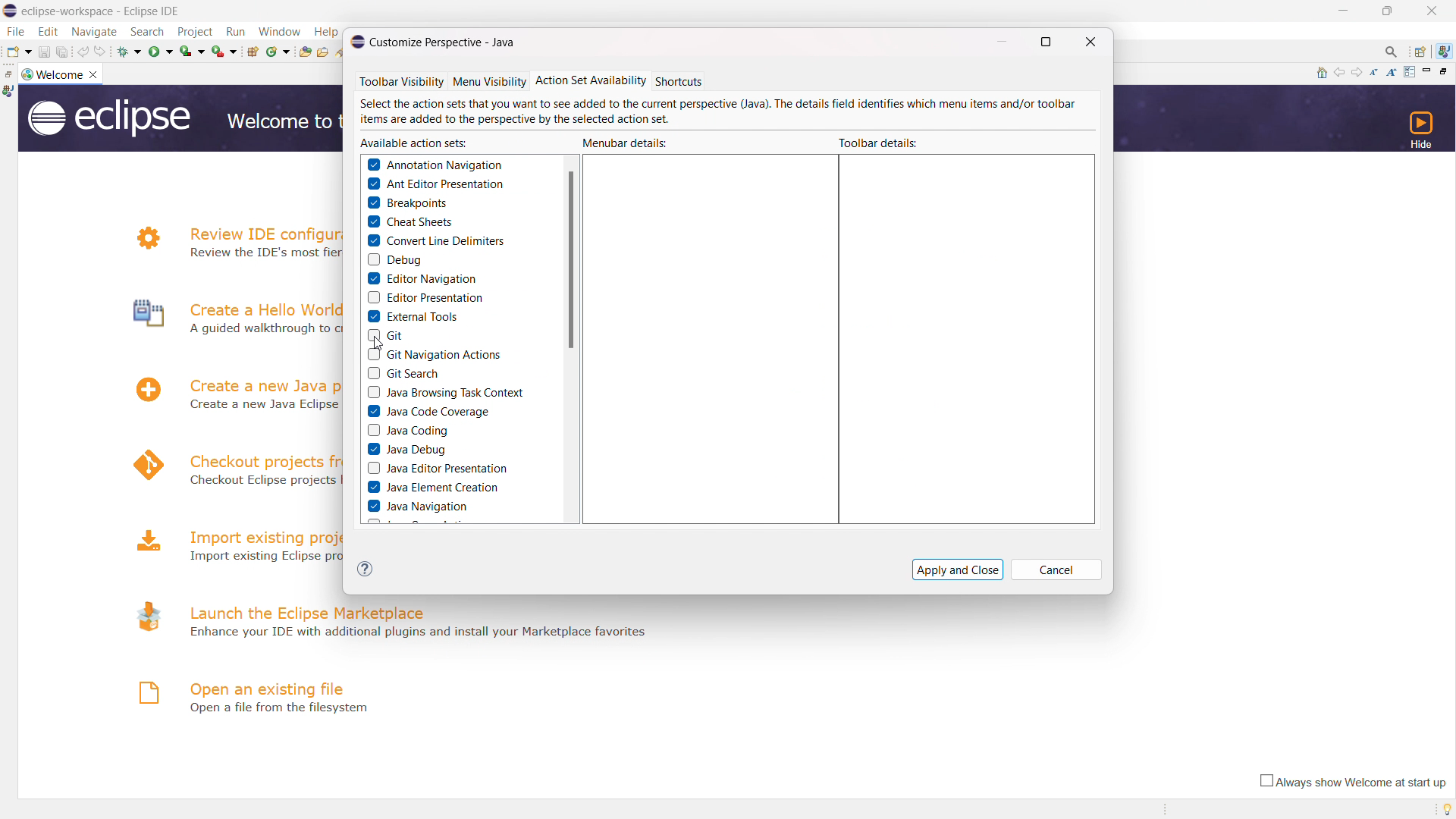 The width and height of the screenshot is (1456, 819). I want to click on annotation navigation, so click(435, 165).